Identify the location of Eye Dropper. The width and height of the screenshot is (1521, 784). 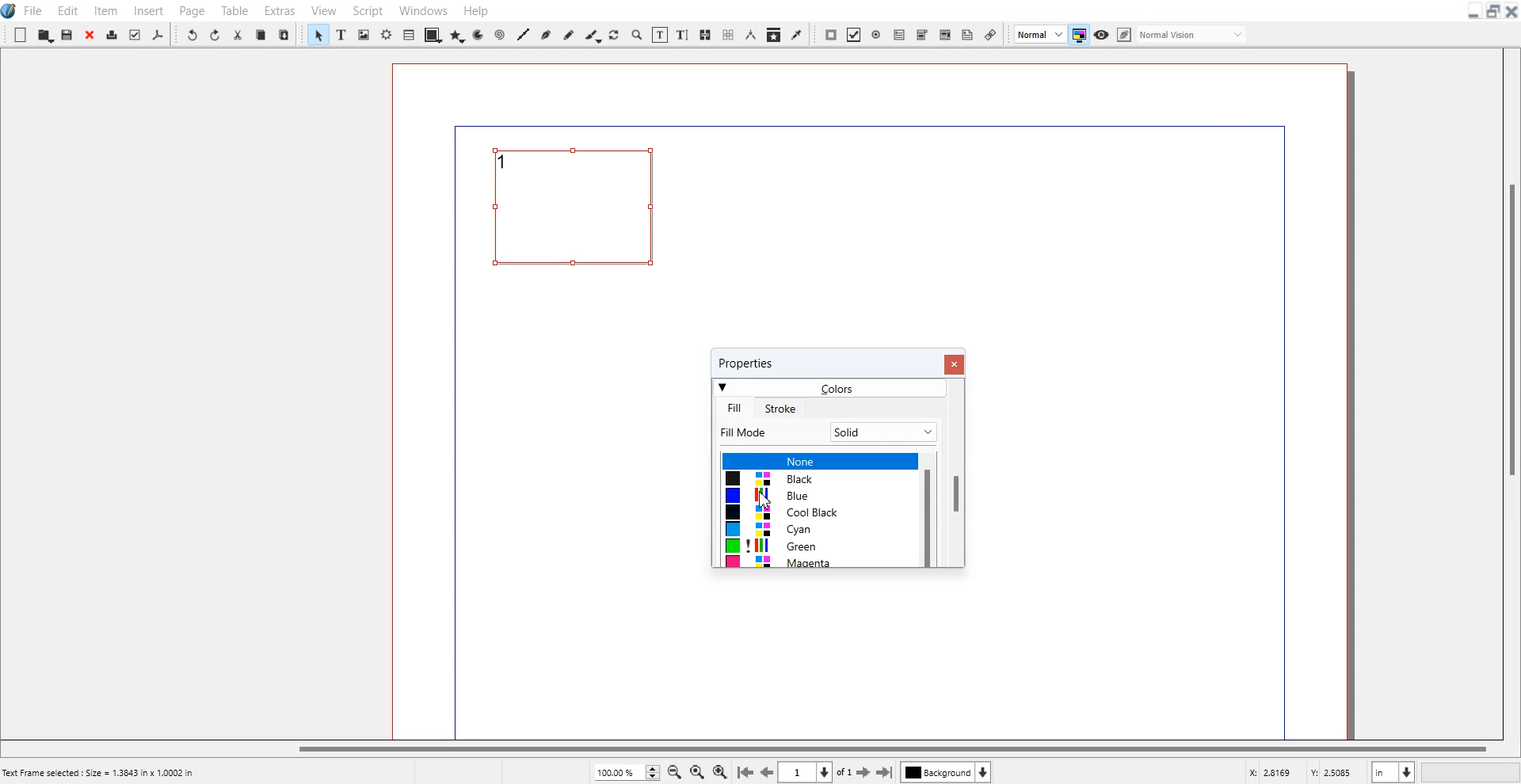
(796, 35).